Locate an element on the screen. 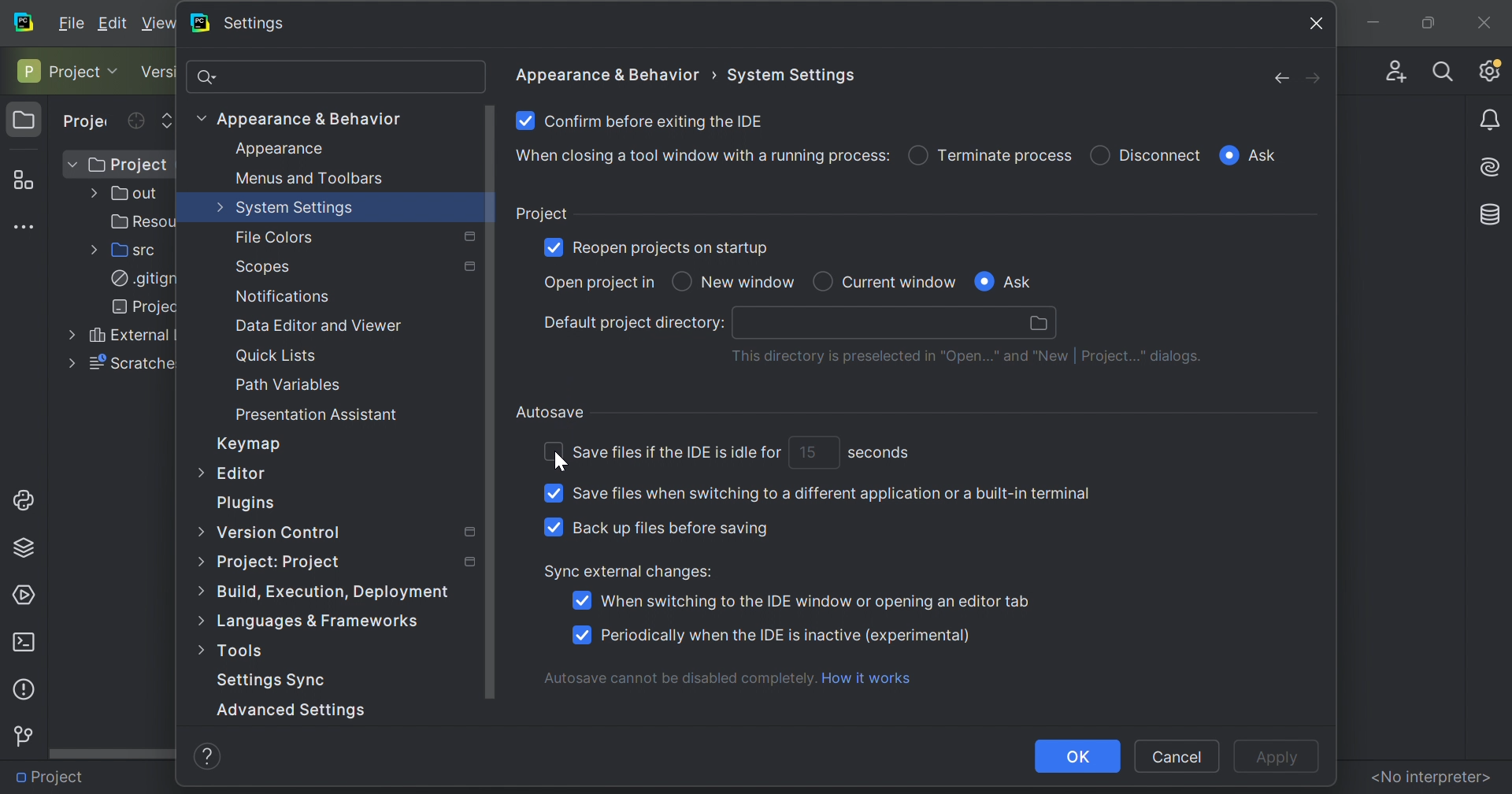 The image size is (1512, 794). OK is located at coordinates (1078, 756).